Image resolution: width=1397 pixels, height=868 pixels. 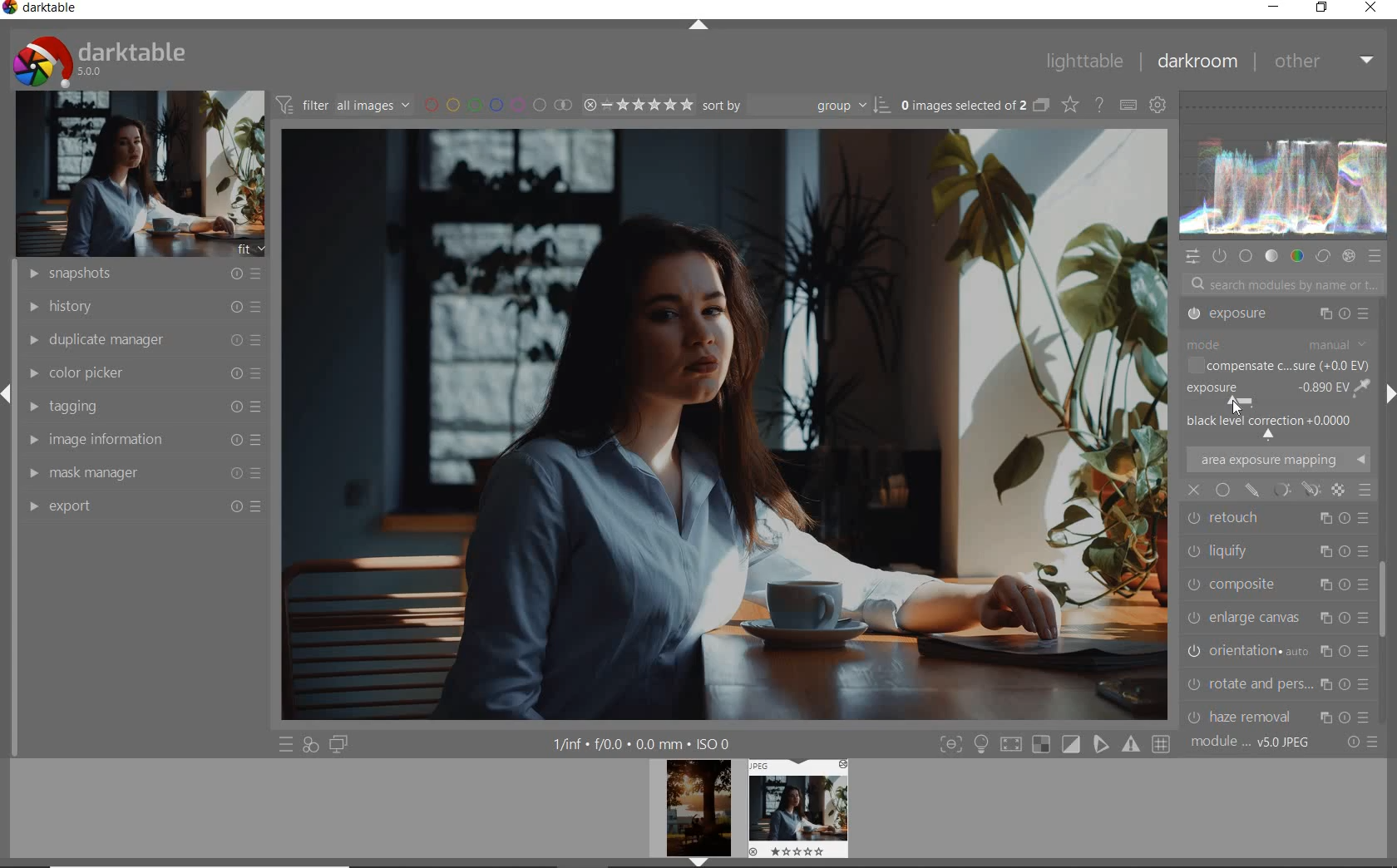 What do you see at coordinates (1370, 8) in the screenshot?
I see `CLOSE` at bounding box center [1370, 8].